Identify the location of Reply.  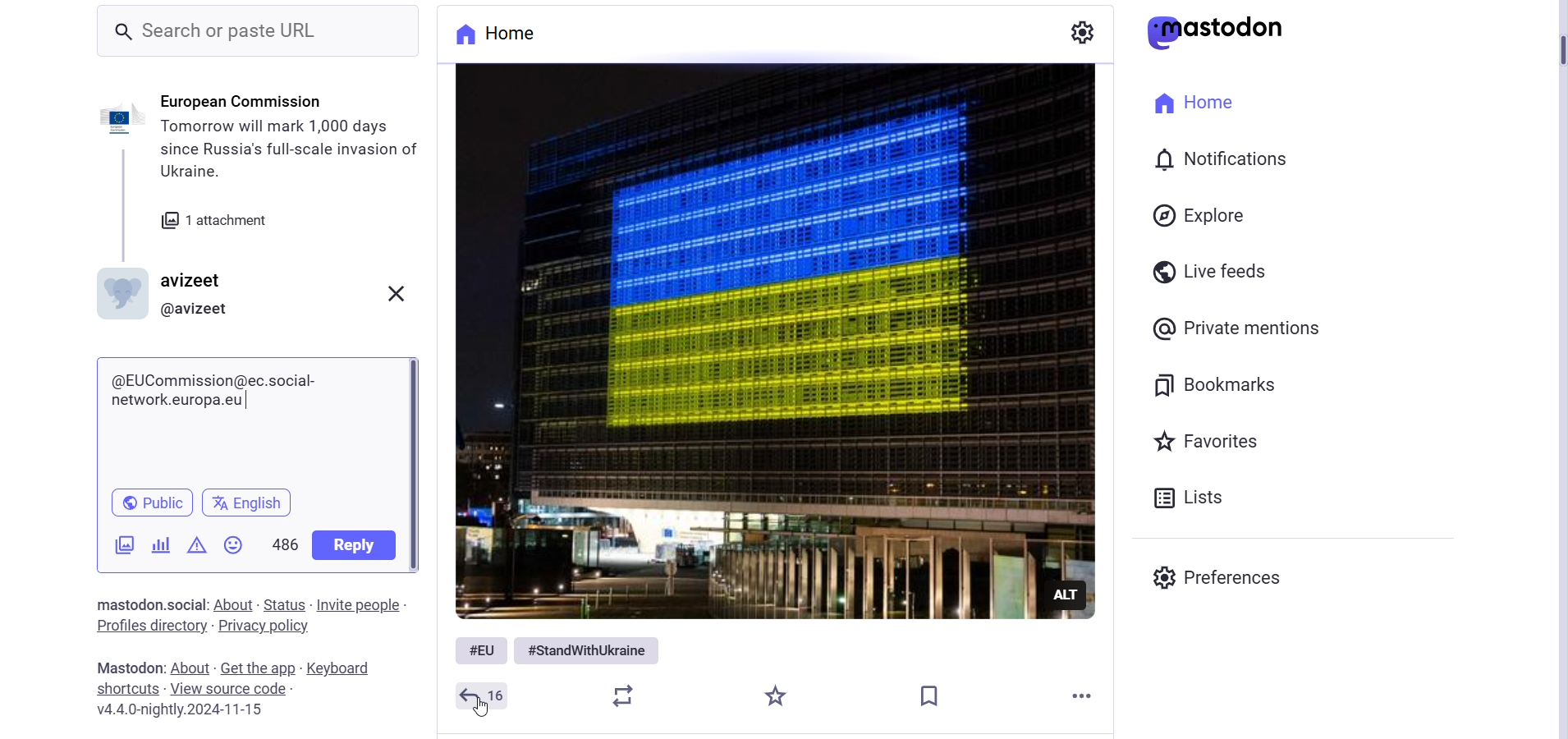
(485, 695).